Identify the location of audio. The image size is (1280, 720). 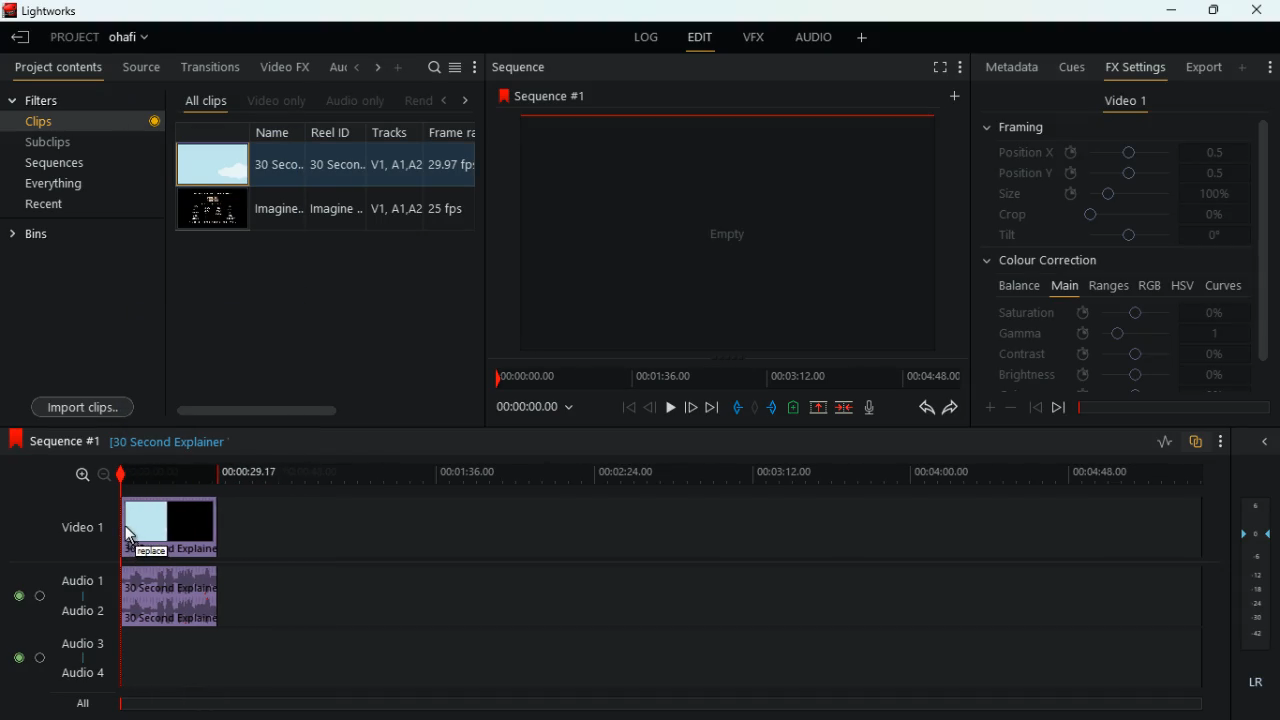
(174, 597).